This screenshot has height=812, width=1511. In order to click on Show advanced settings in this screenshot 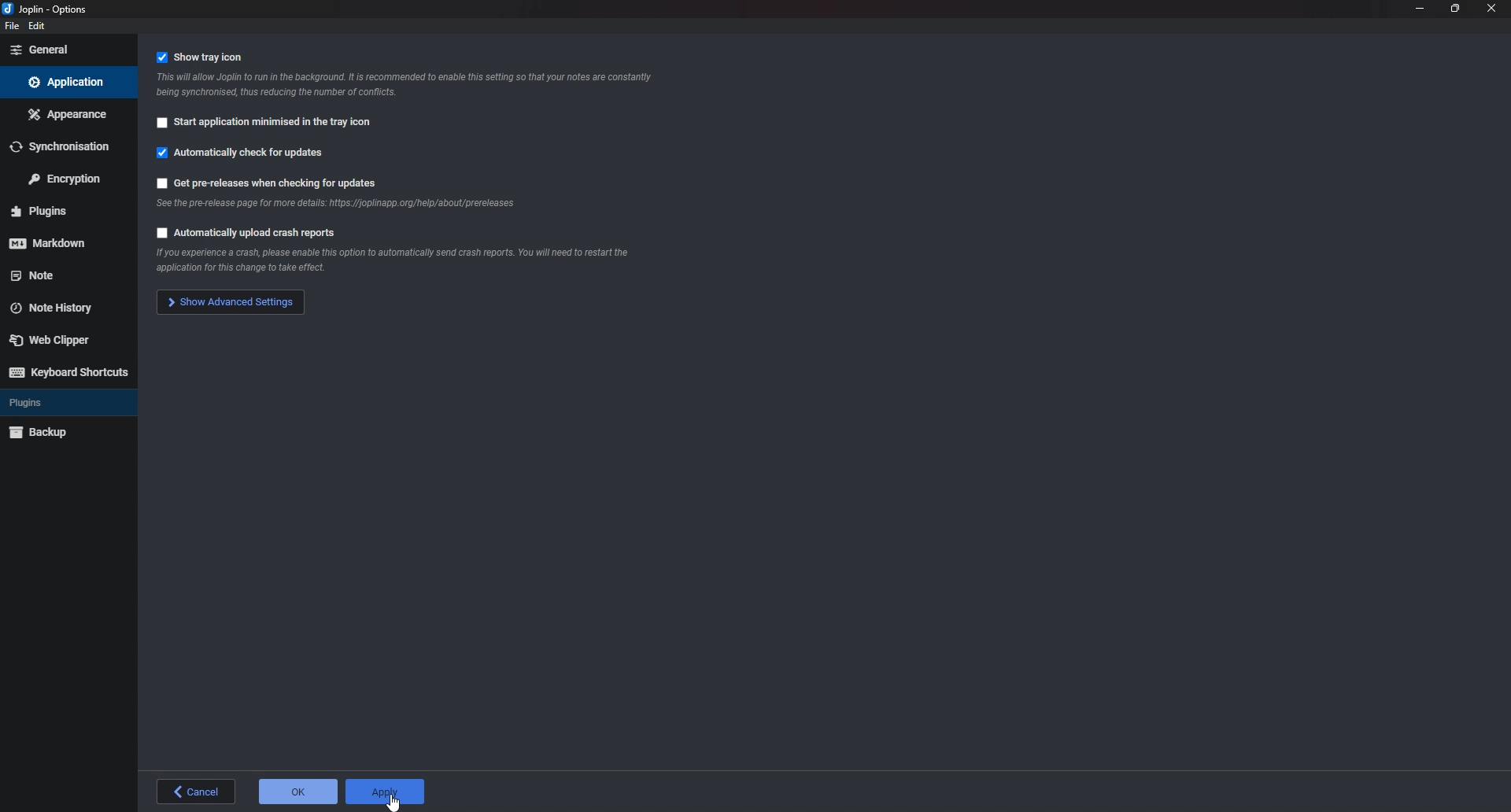, I will do `click(228, 303)`.